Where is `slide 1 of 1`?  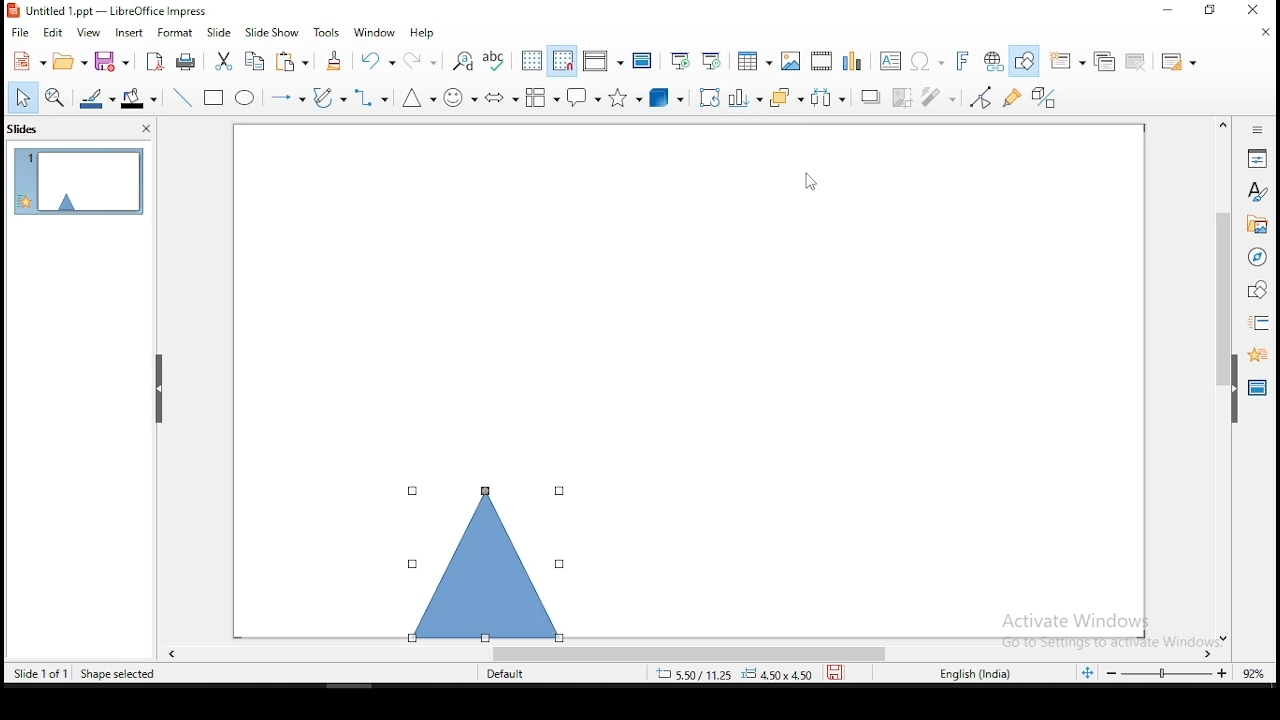 slide 1 of 1 is located at coordinates (40, 671).